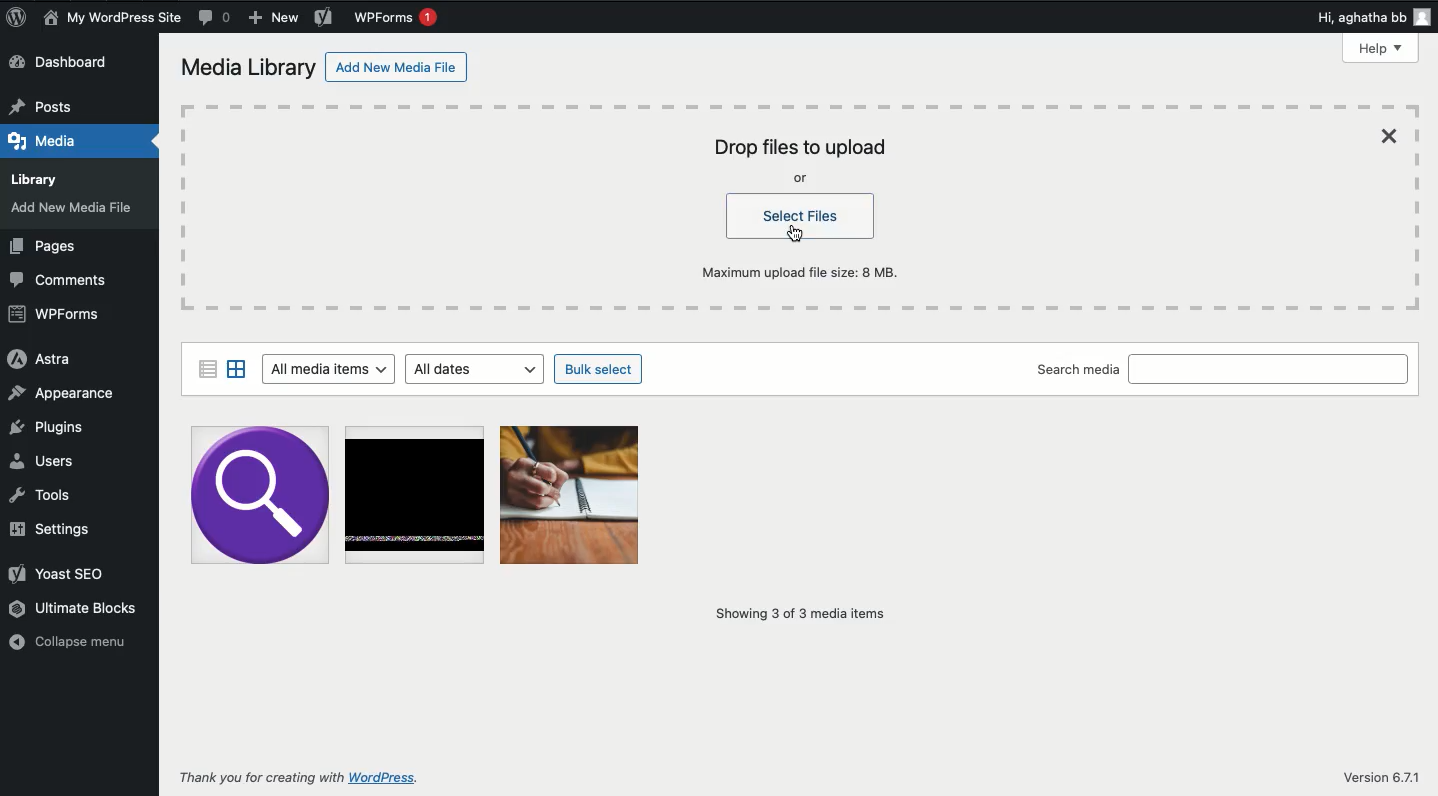  I want to click on cursor, so click(796, 235).